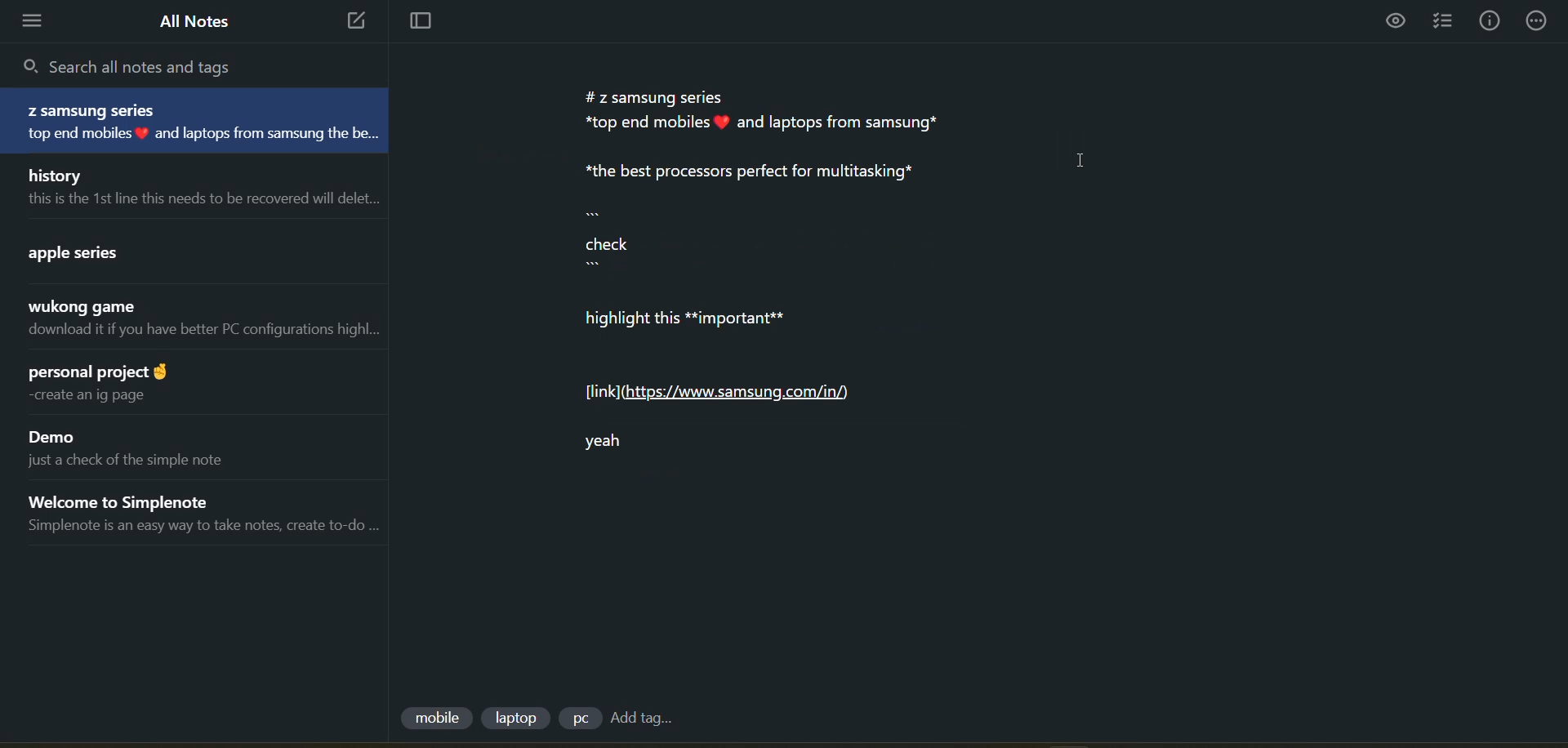  I want to click on tag 3, so click(579, 718).